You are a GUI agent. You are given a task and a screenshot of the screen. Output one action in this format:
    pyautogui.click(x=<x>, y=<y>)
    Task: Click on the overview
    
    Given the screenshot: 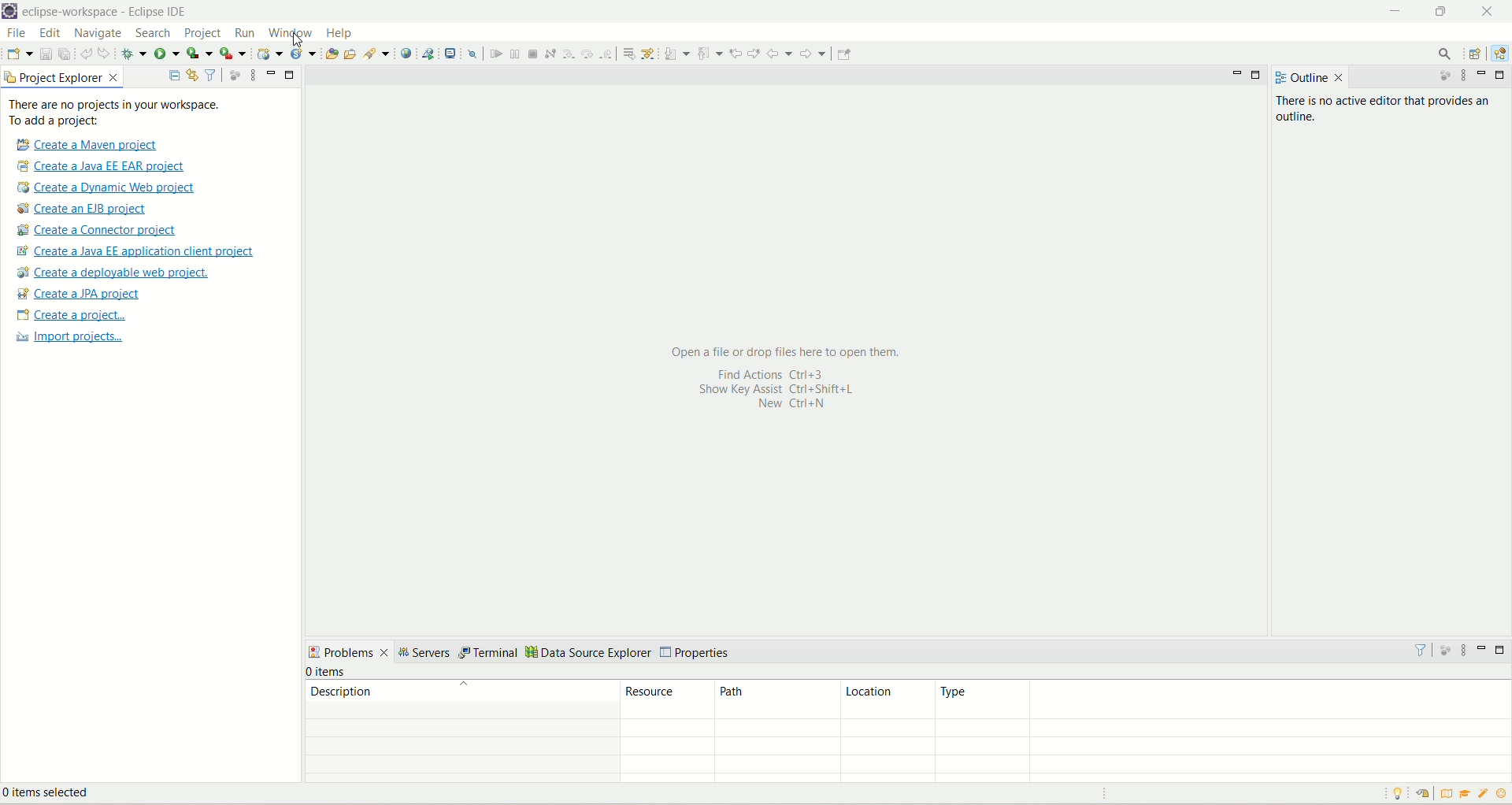 What is the action you would take?
    pyautogui.click(x=1444, y=792)
    